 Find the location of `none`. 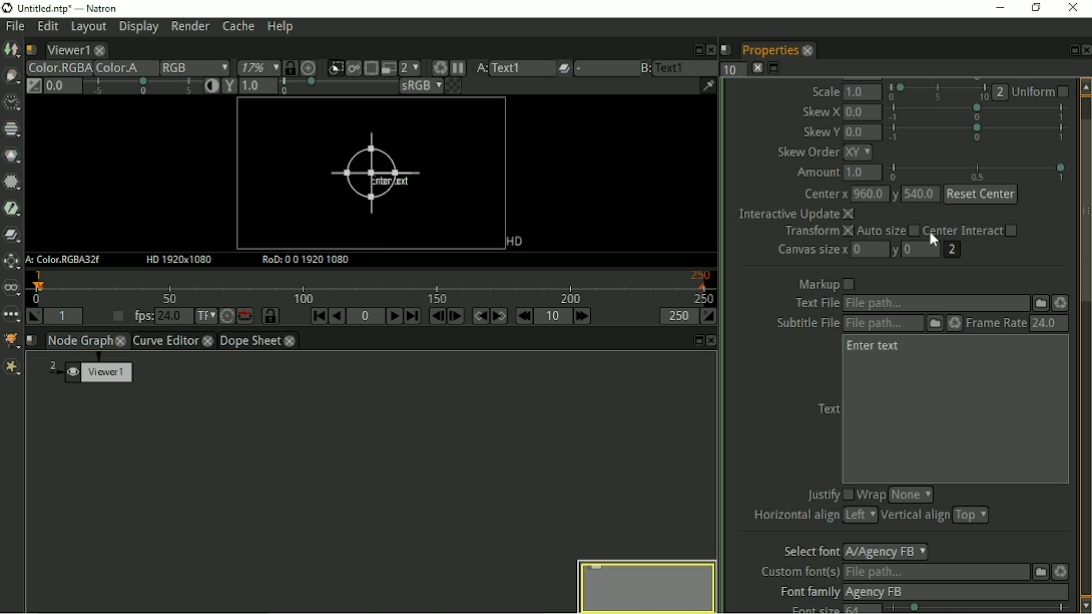

none is located at coordinates (910, 495).